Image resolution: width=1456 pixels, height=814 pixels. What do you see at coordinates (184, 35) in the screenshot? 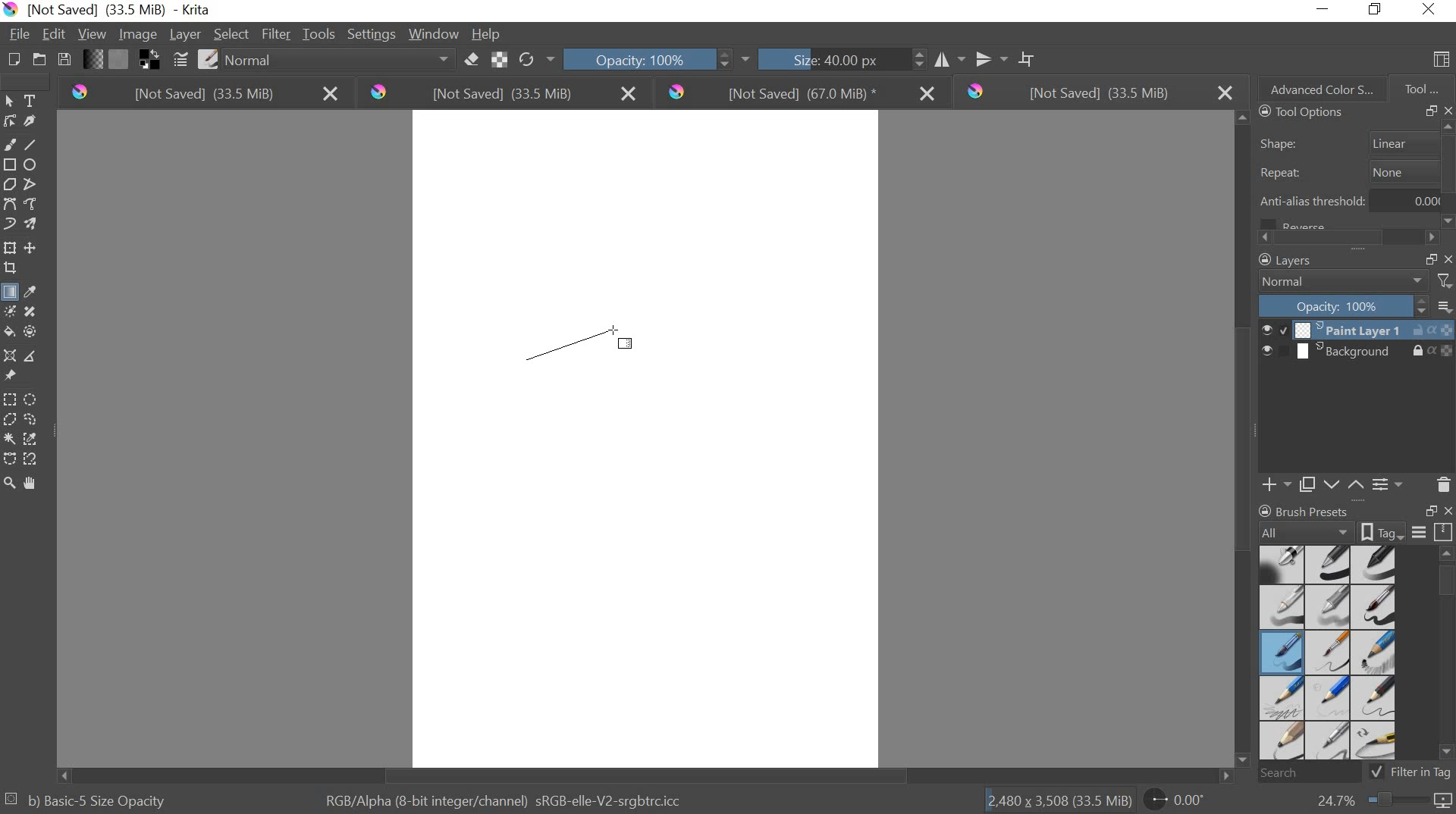
I see `LAYER` at bounding box center [184, 35].